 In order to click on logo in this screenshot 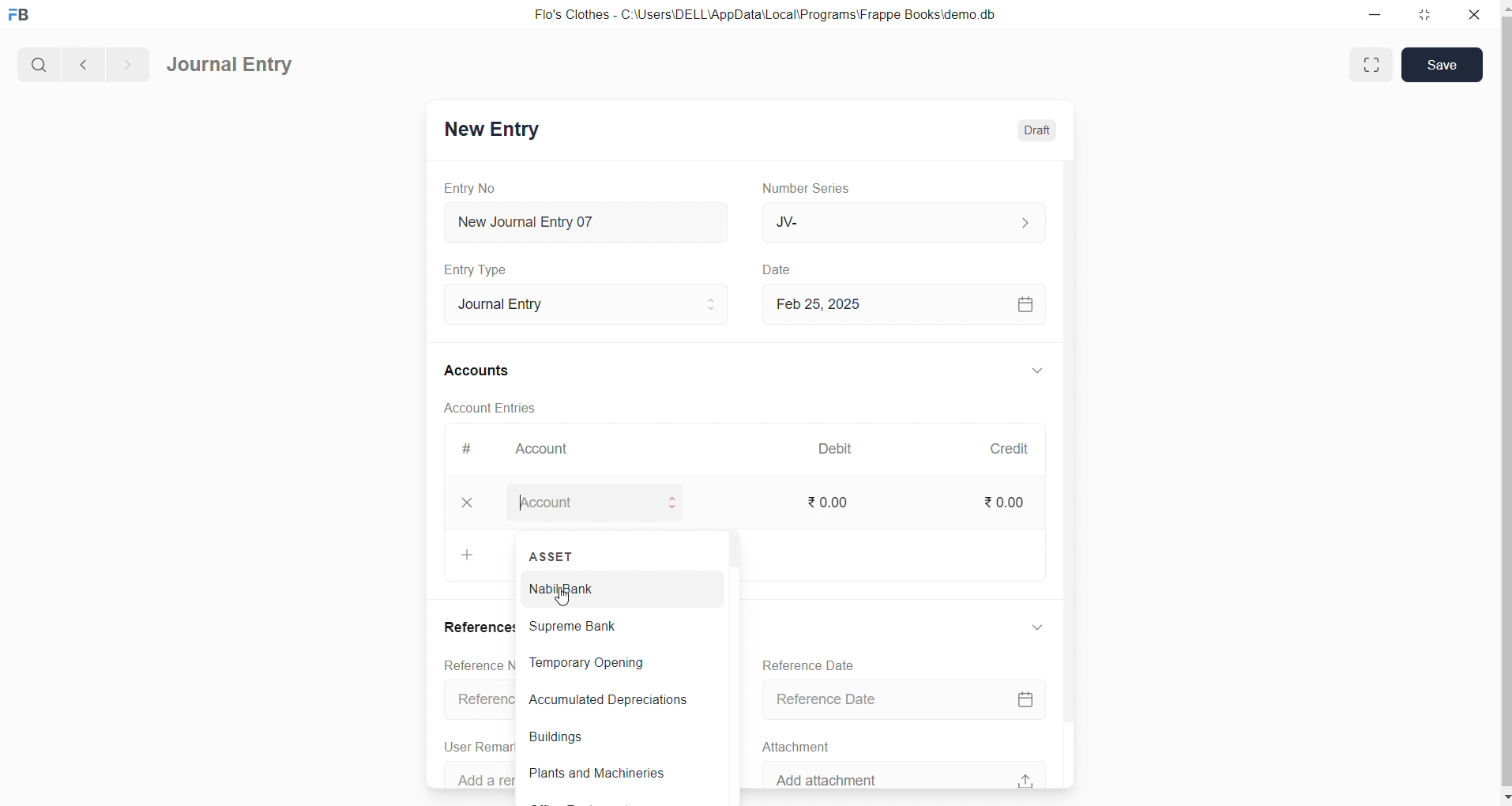, I will do `click(23, 16)`.